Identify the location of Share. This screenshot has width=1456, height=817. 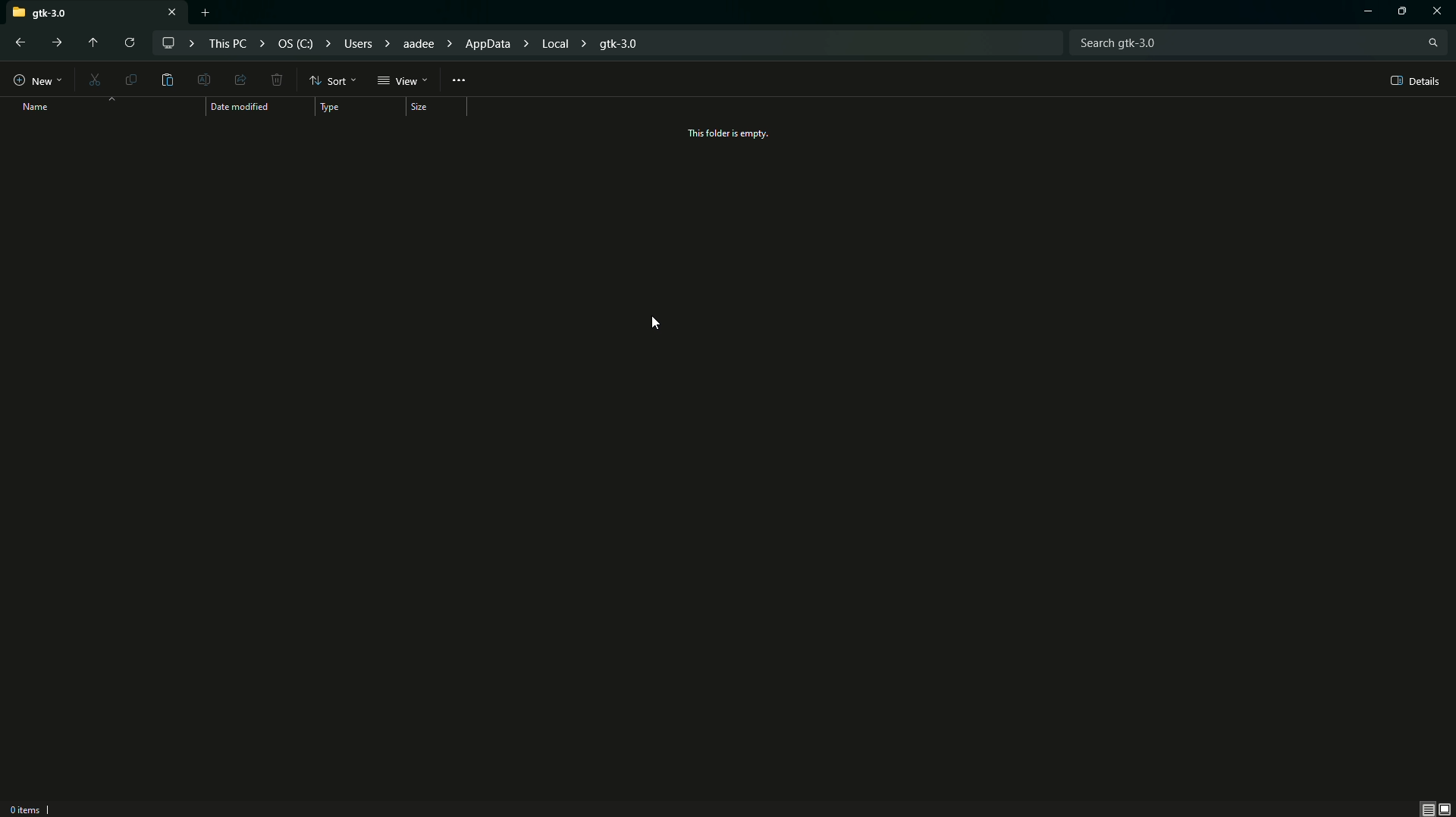
(238, 81).